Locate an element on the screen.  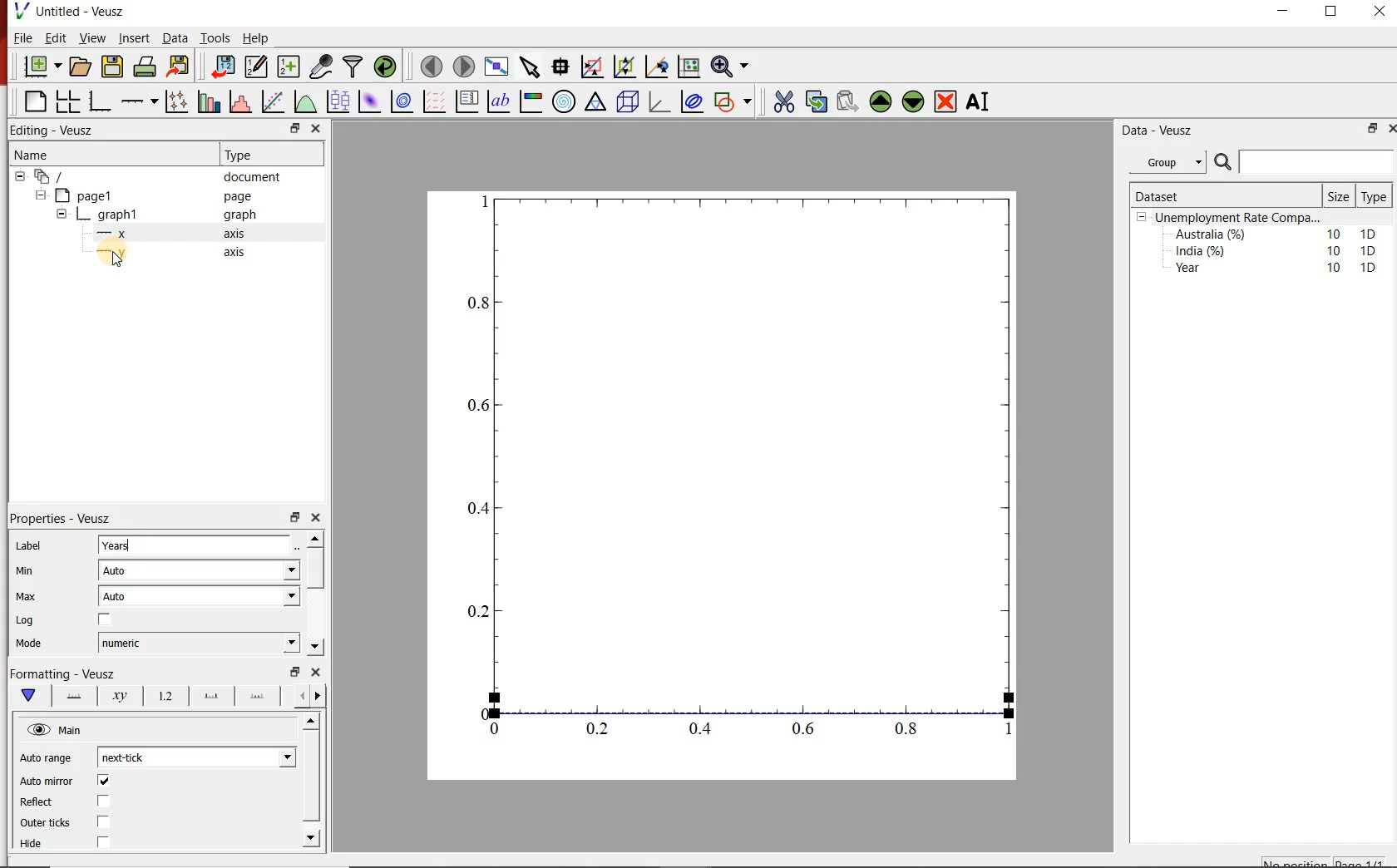
move to next page is located at coordinates (465, 67).